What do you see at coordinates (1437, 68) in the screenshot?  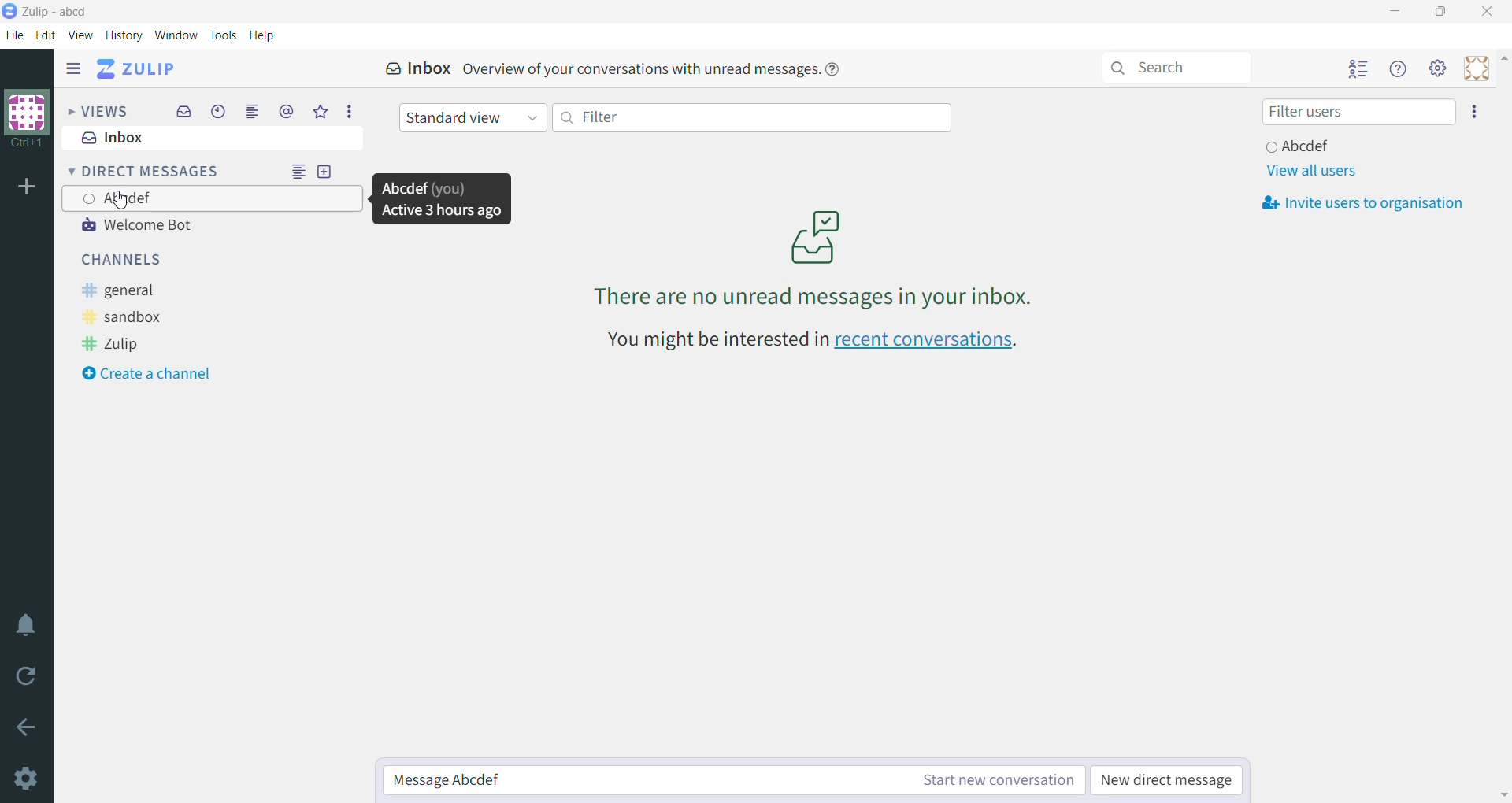 I see `Main menu` at bounding box center [1437, 68].